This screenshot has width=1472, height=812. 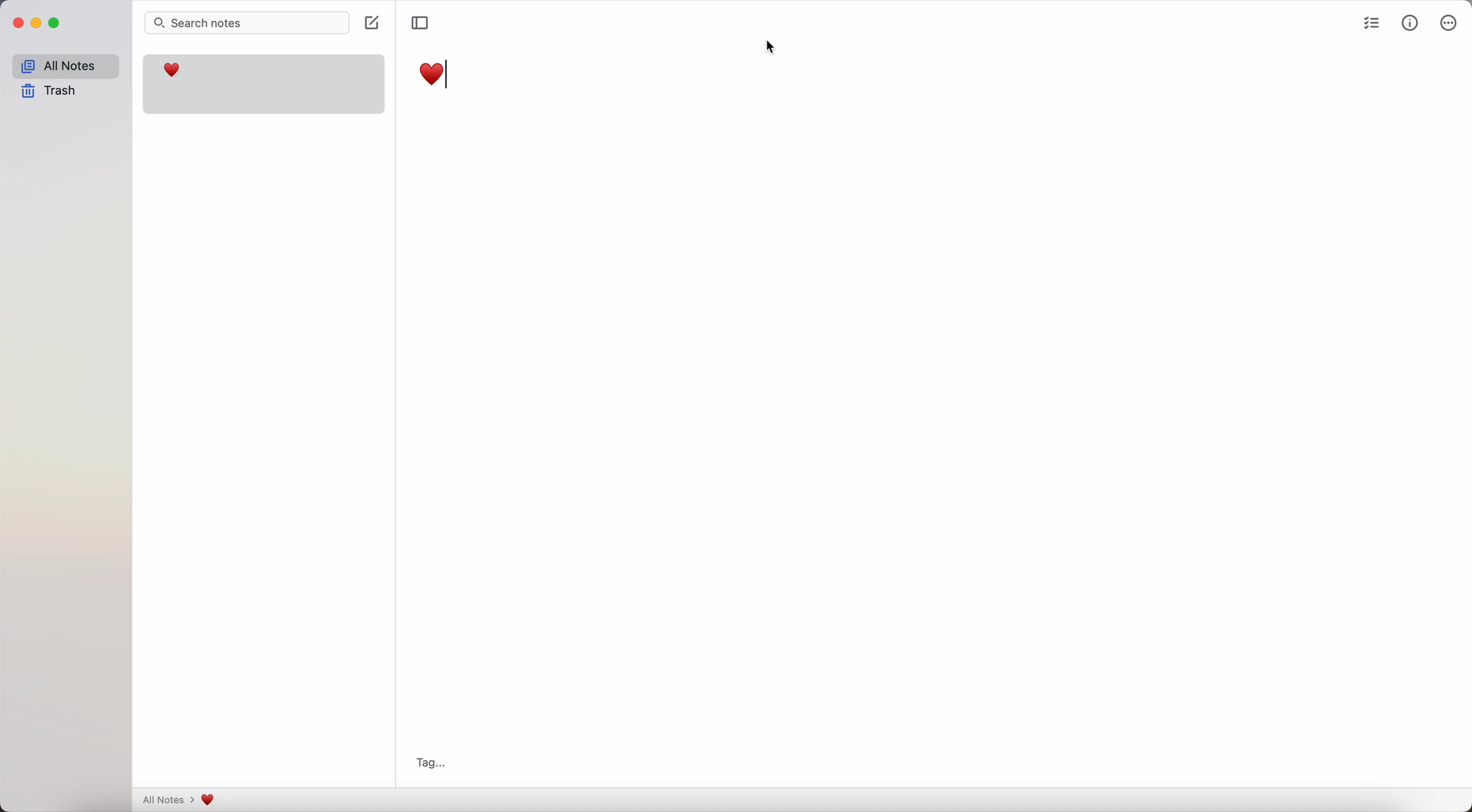 I want to click on minimize Simplenote, so click(x=36, y=22).